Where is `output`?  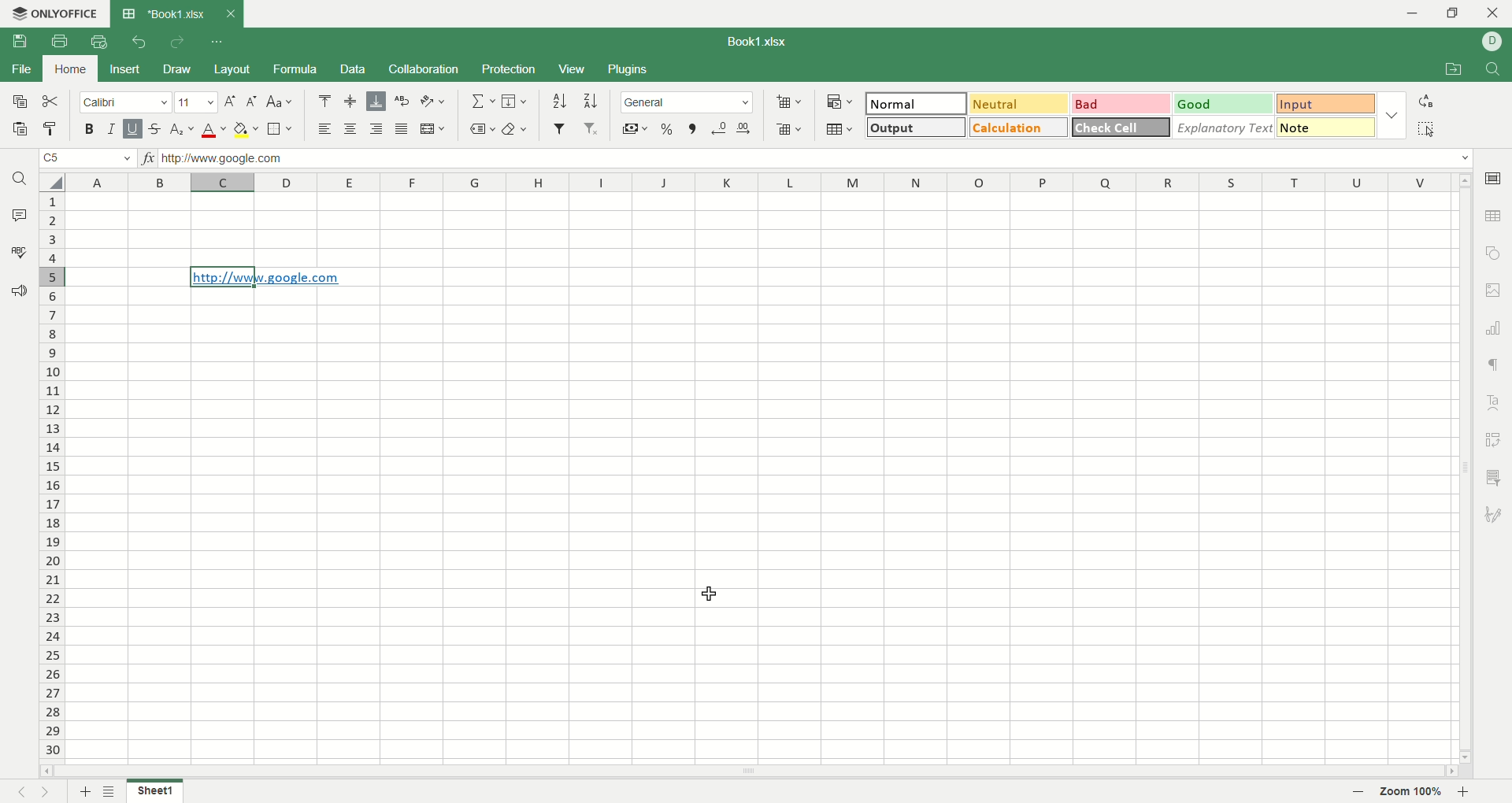 output is located at coordinates (913, 127).